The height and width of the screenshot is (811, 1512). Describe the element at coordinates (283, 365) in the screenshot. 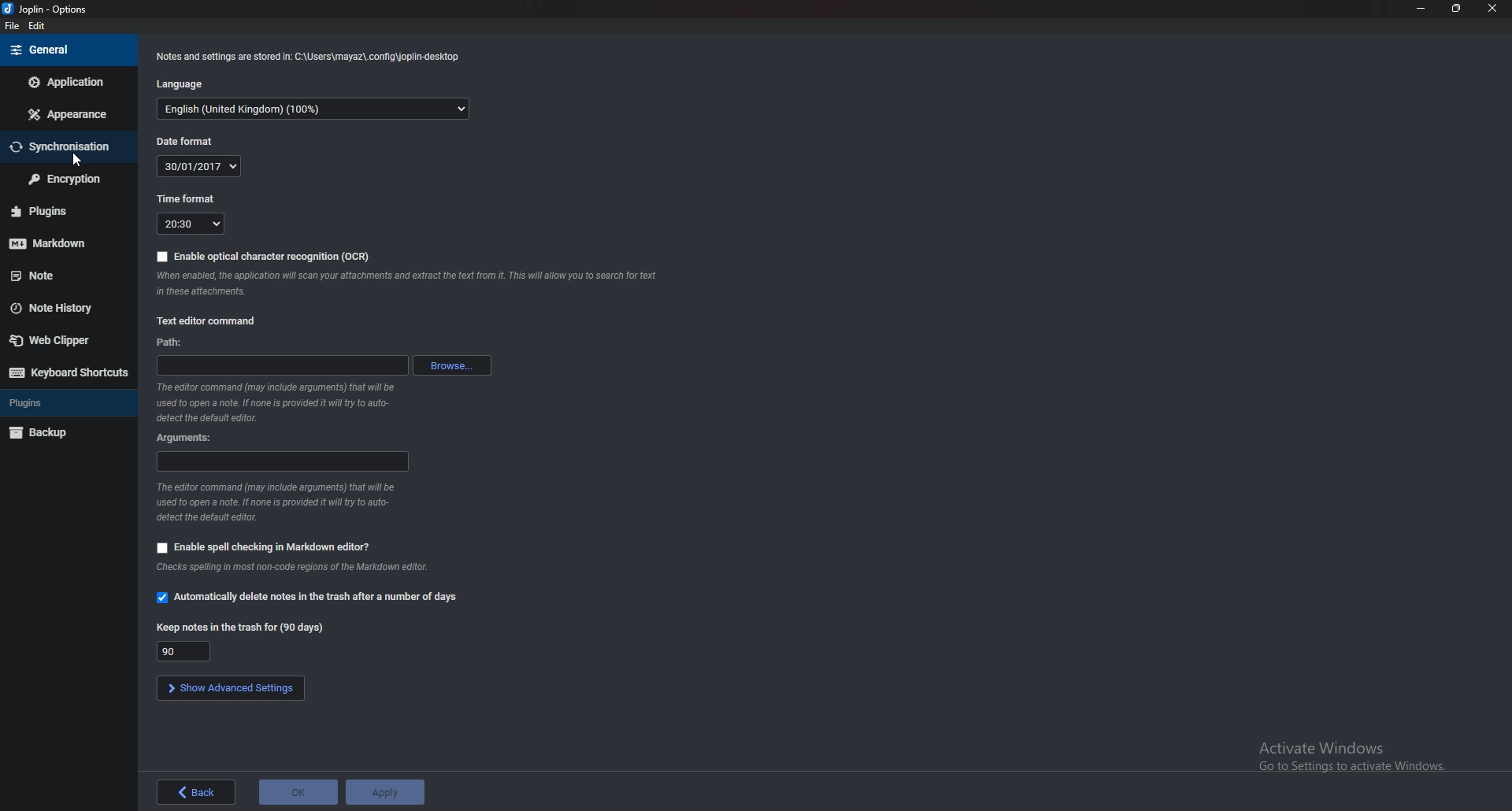

I see `path input` at that location.